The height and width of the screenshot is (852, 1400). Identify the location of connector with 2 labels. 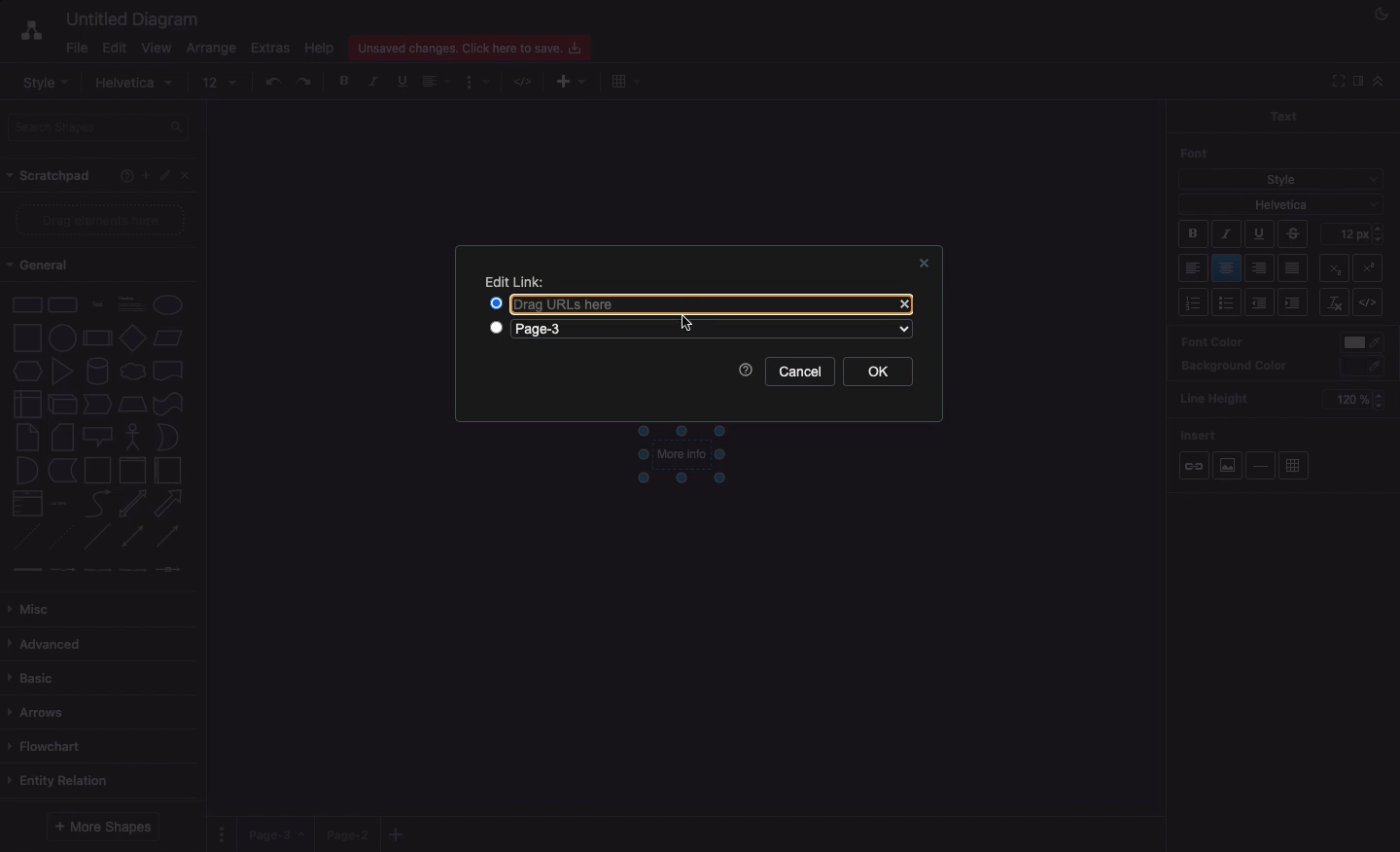
(97, 570).